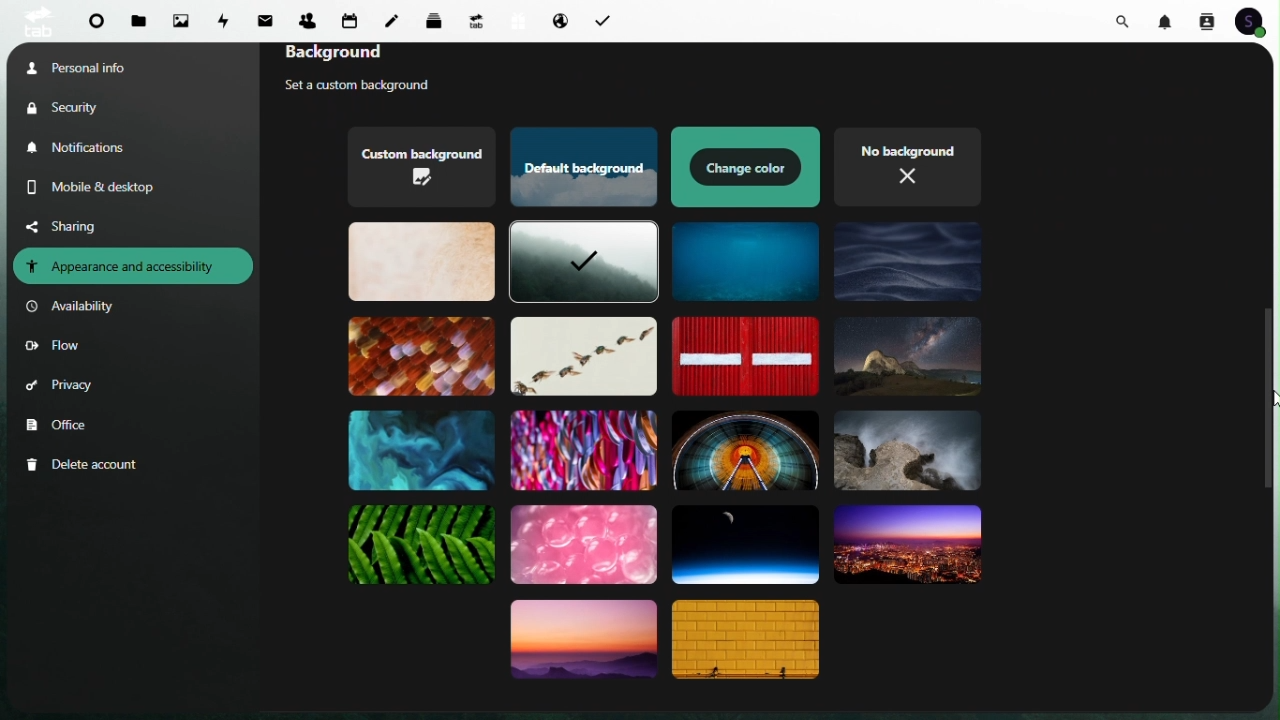  Describe the element at coordinates (1126, 19) in the screenshot. I see `Search` at that location.